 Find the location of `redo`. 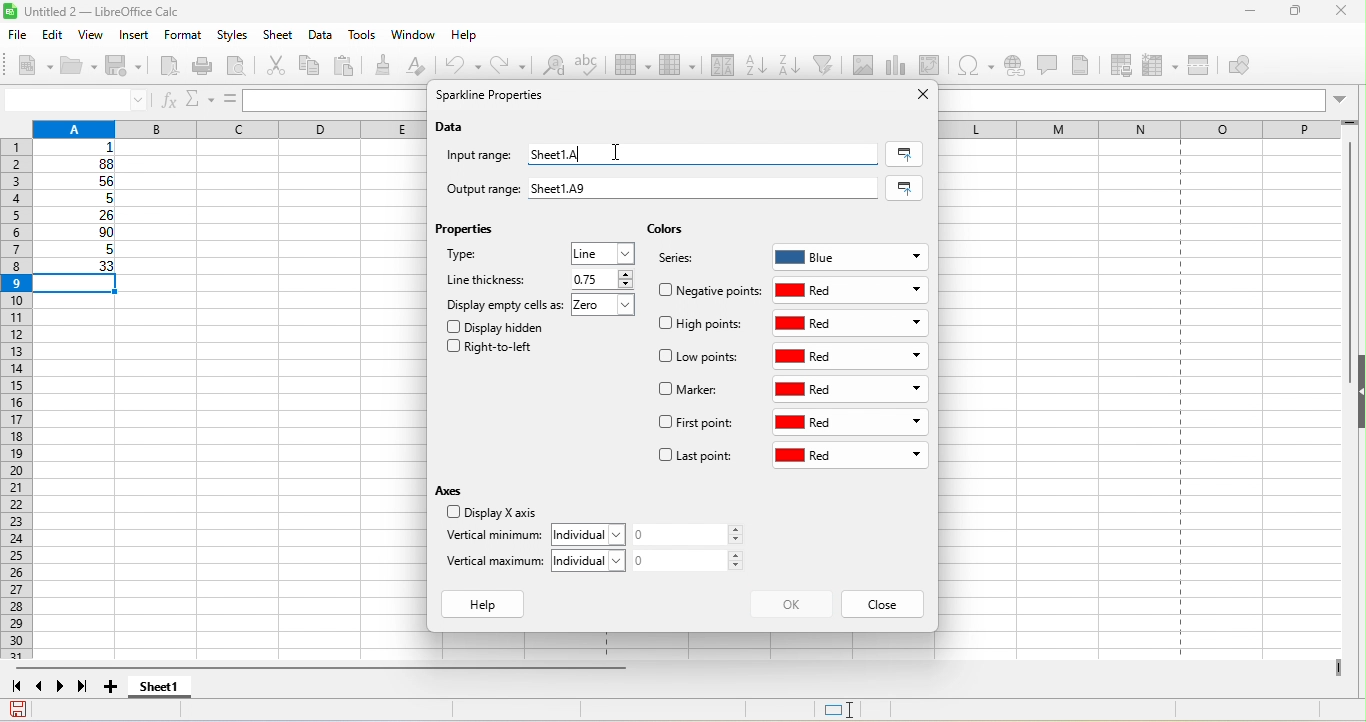

redo is located at coordinates (511, 64).